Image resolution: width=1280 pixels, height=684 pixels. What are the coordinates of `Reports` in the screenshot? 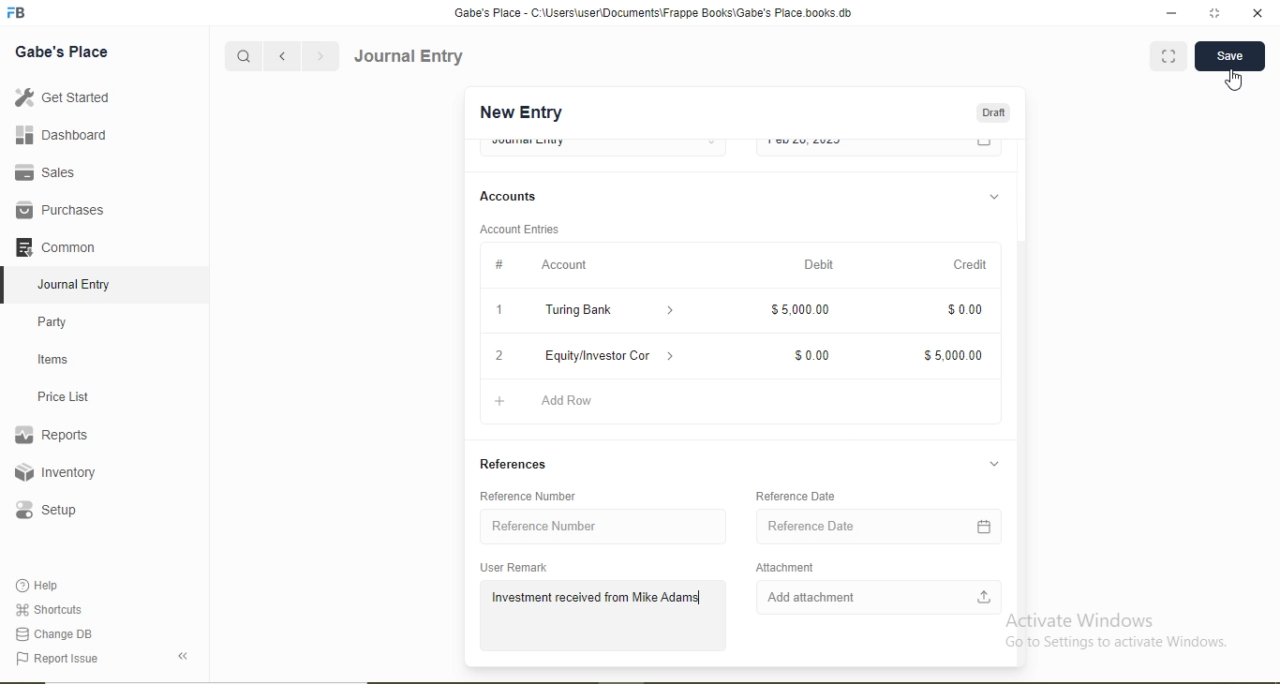 It's located at (51, 435).